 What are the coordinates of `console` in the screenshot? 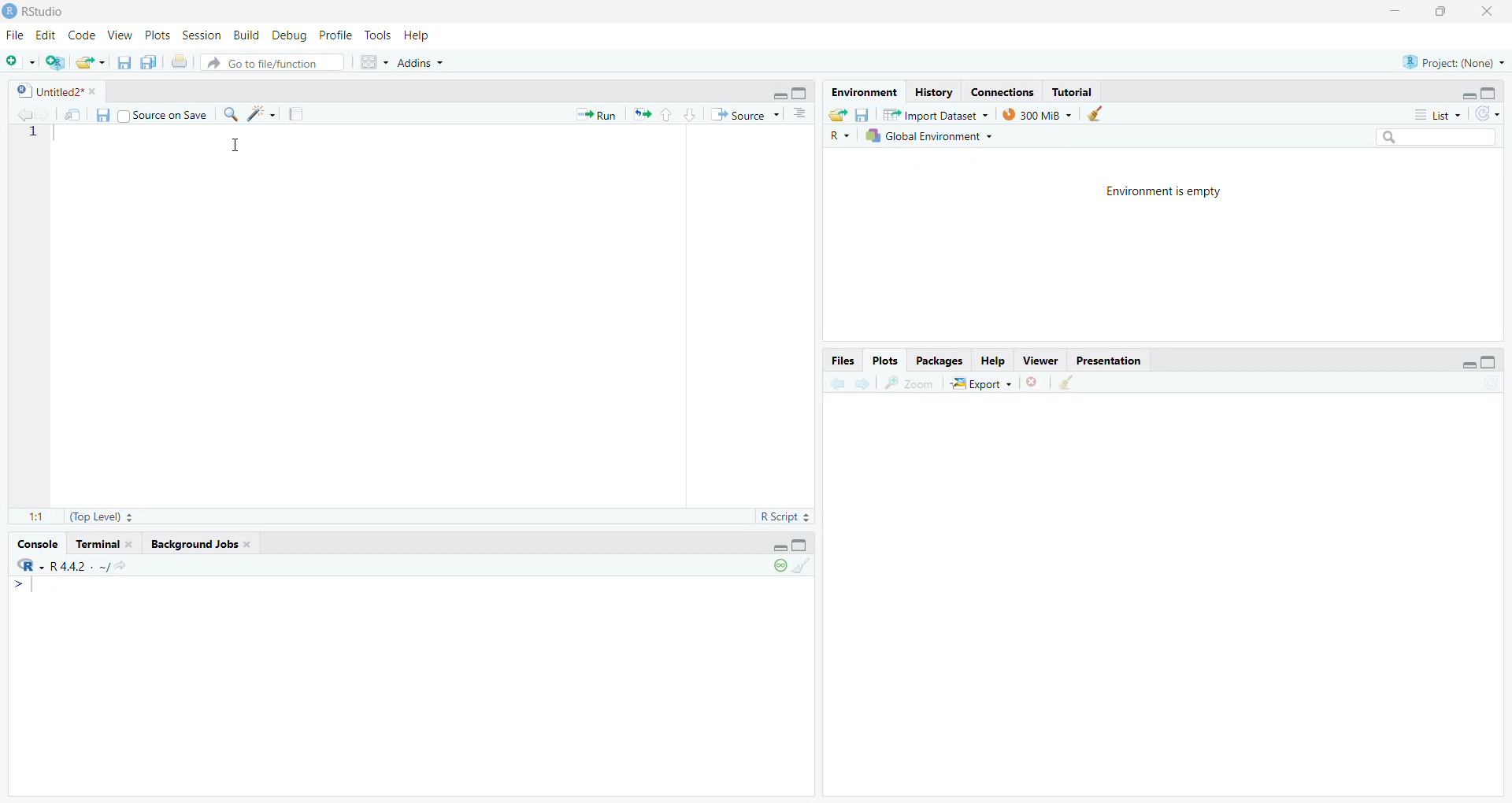 It's located at (39, 547).